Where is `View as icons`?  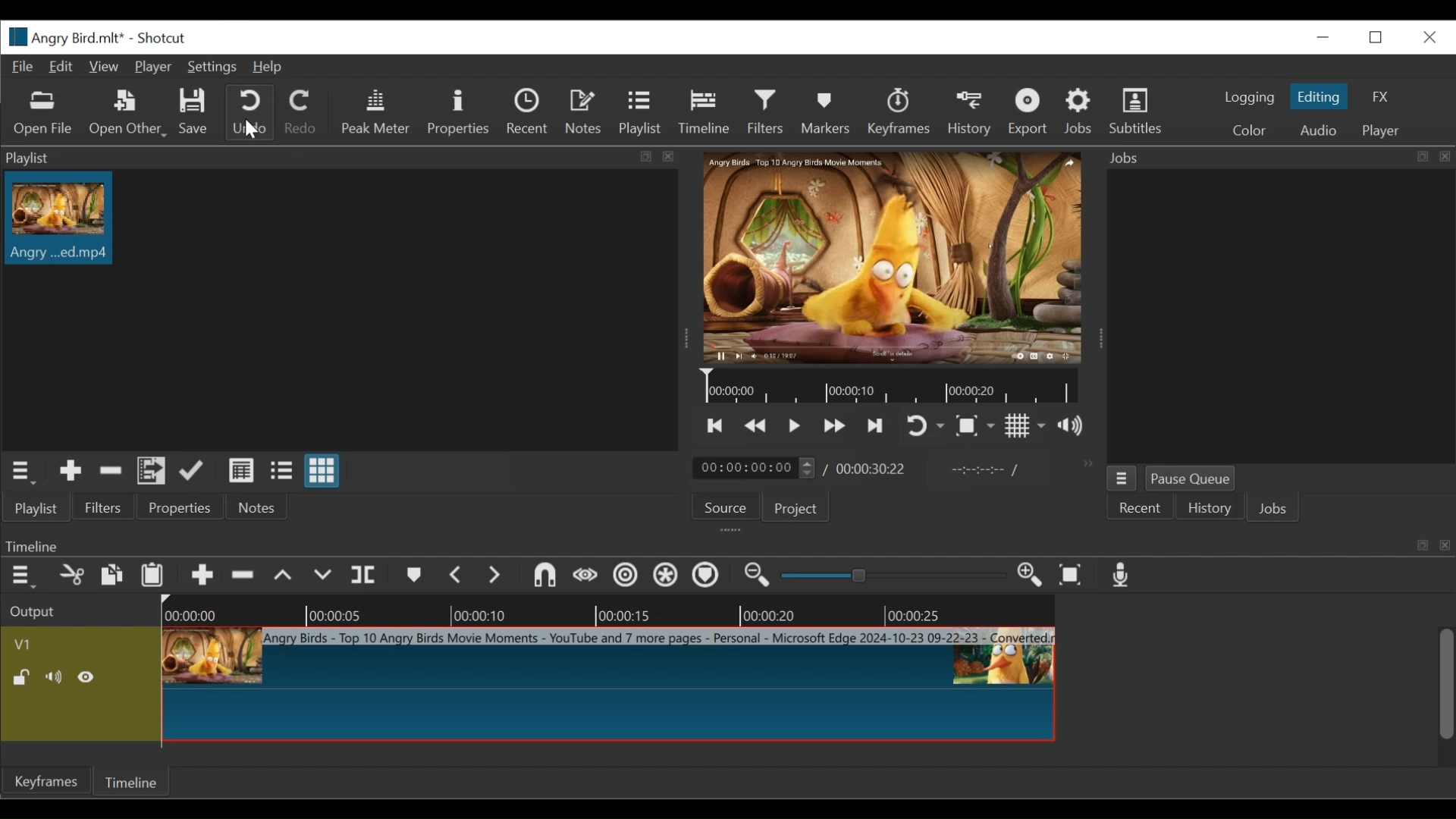 View as icons is located at coordinates (322, 469).